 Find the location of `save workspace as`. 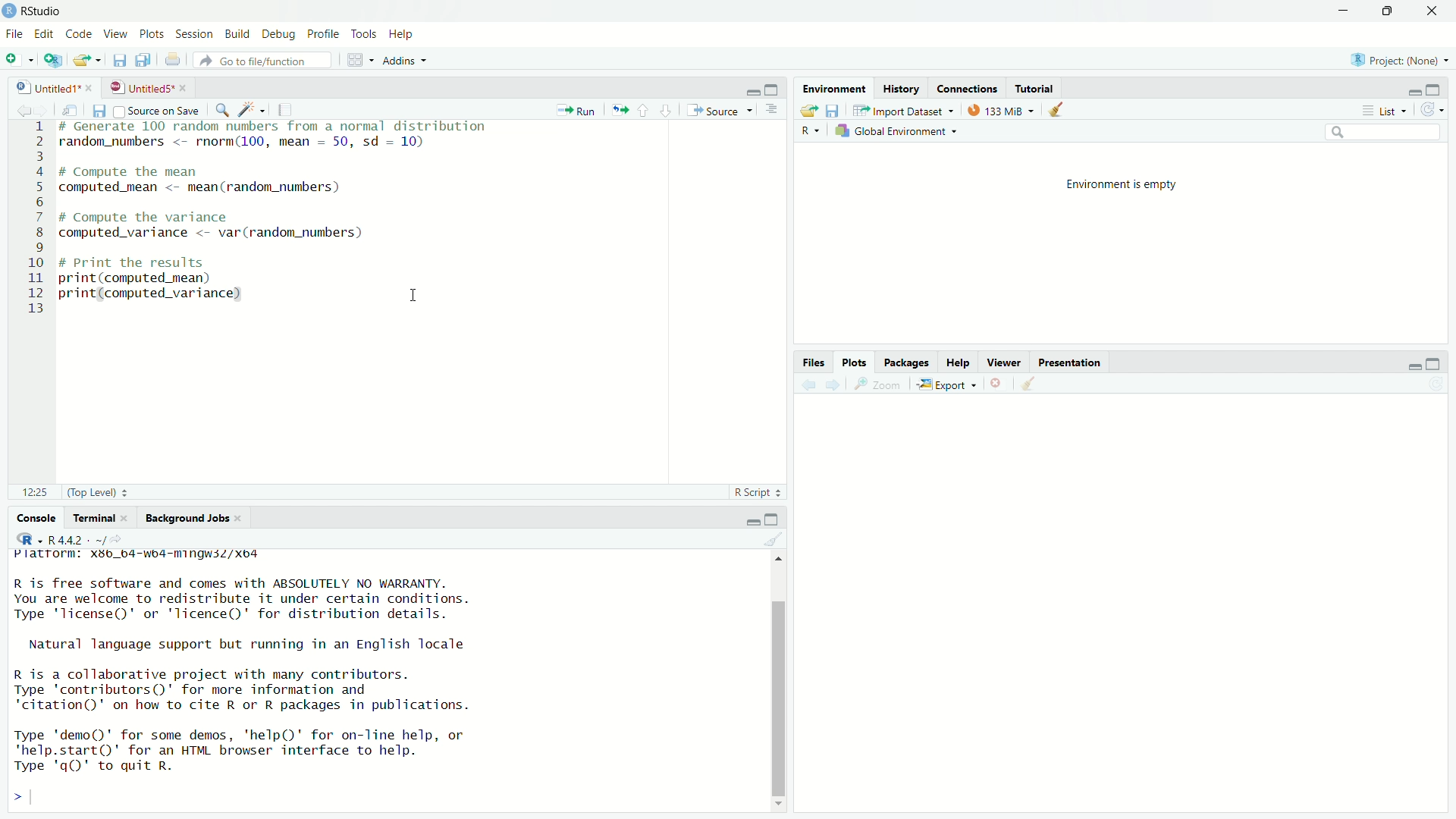

save workspace as is located at coordinates (836, 111).